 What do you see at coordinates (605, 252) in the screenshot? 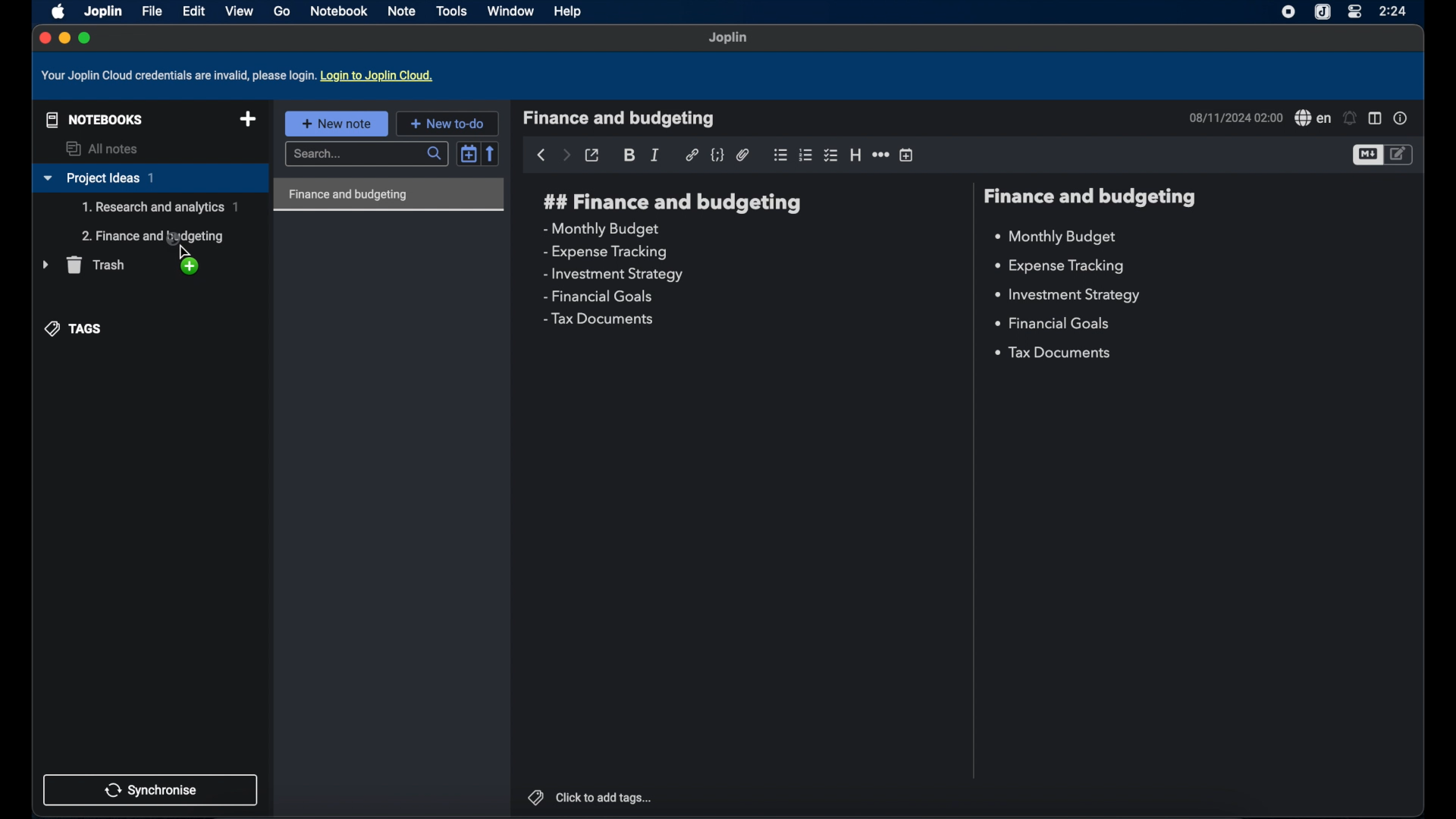
I see `expense tracking` at bounding box center [605, 252].